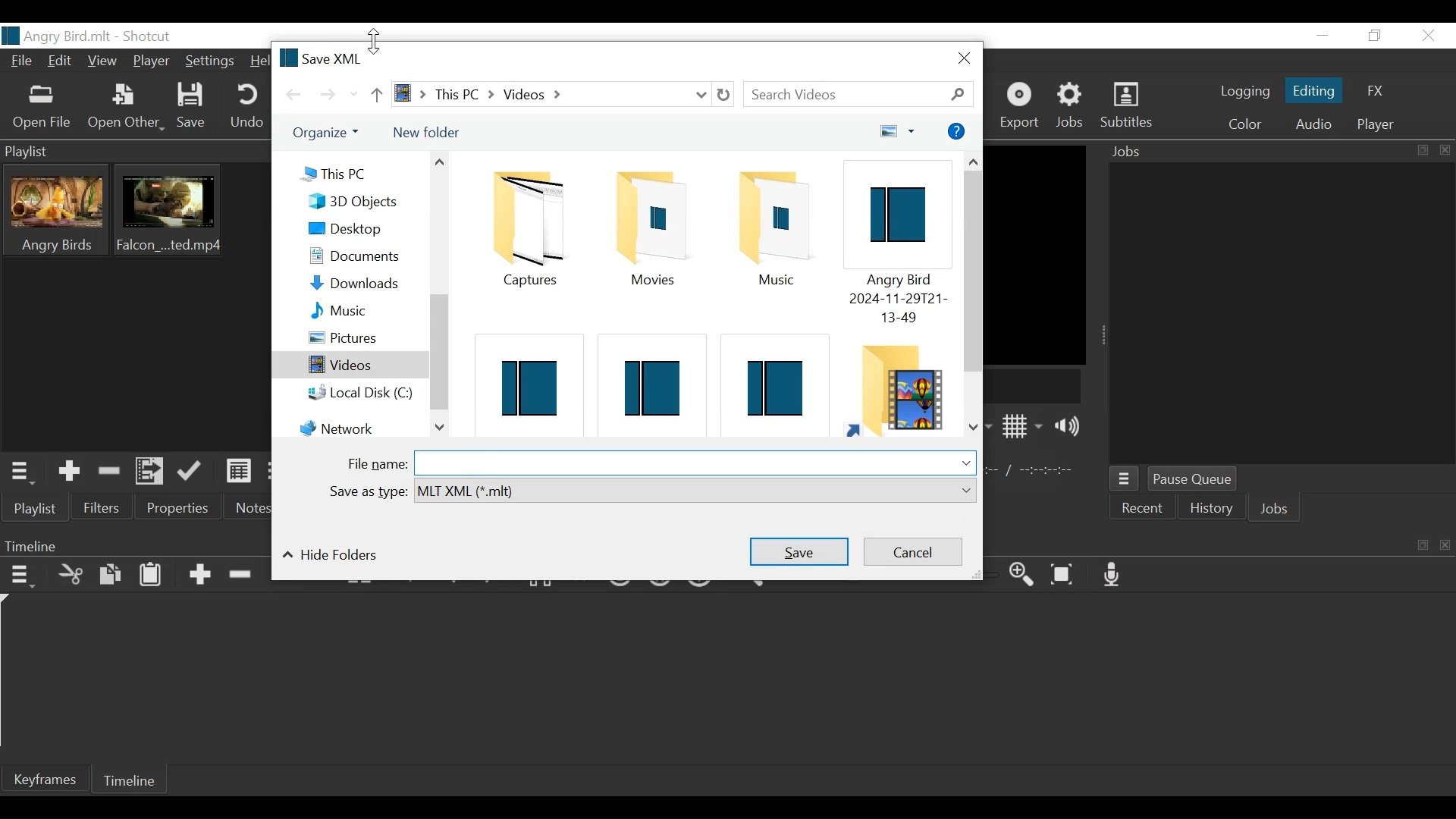  I want to click on Show volume control, so click(1072, 427).